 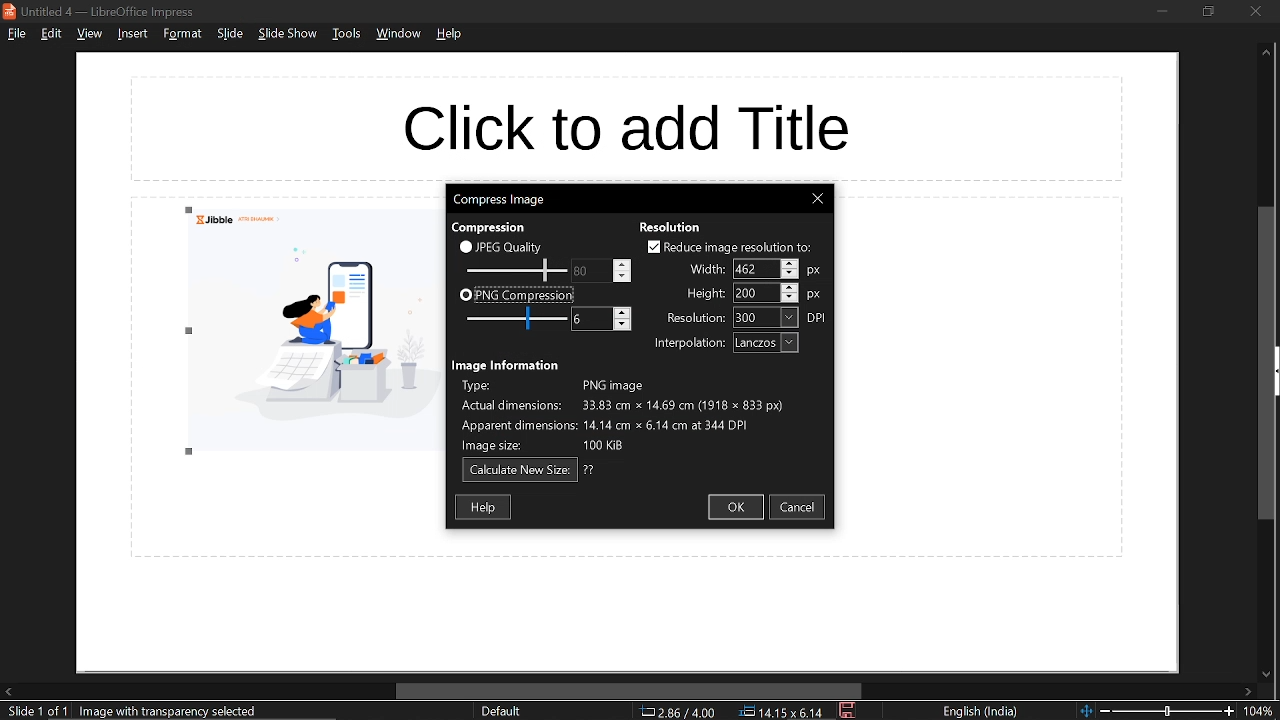 I want to click on JPEG quality scale, so click(x=518, y=320).